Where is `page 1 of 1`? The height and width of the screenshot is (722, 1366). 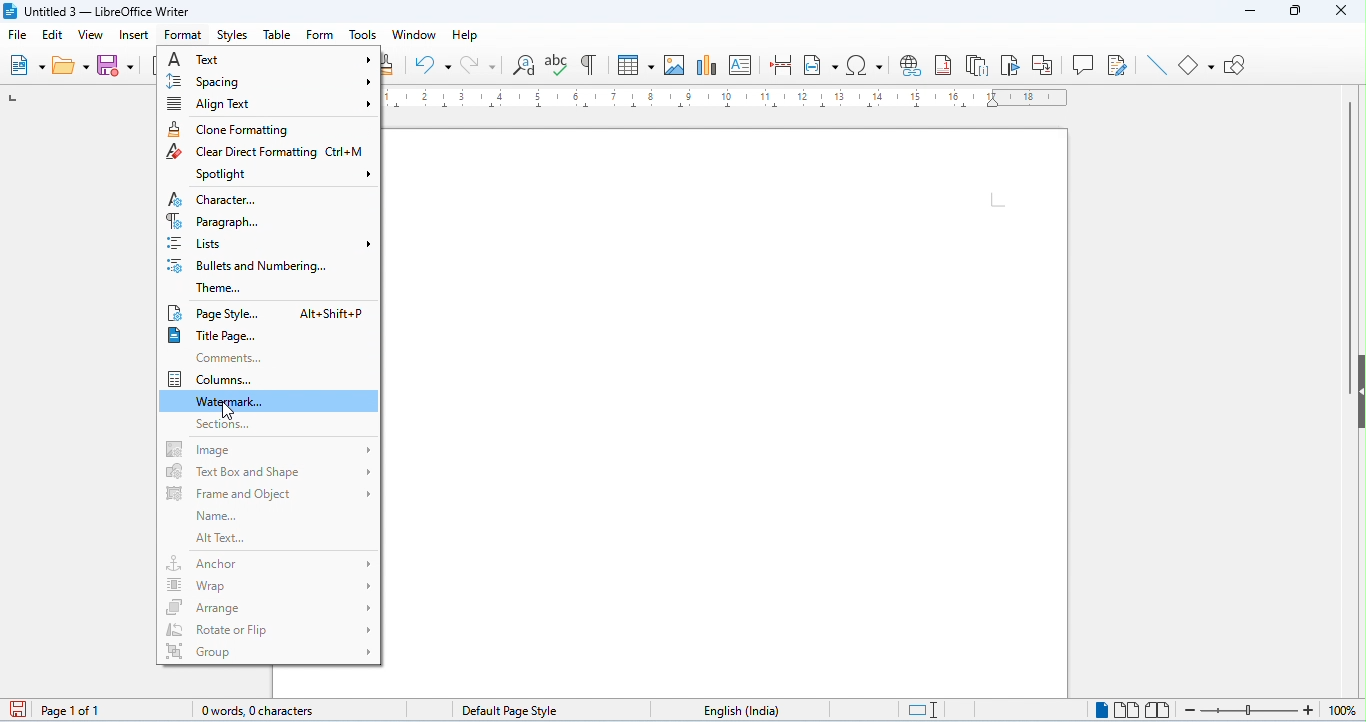 page 1 of 1 is located at coordinates (73, 711).